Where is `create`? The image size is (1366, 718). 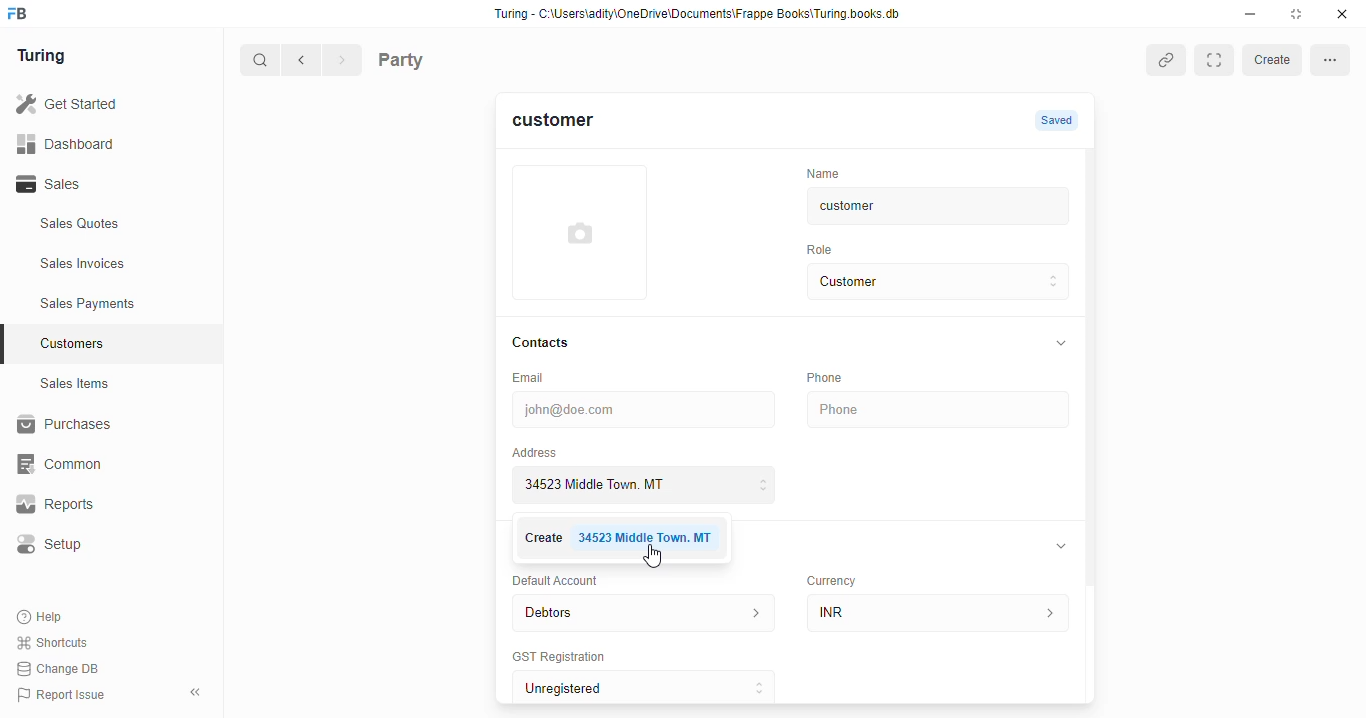
create is located at coordinates (1271, 61).